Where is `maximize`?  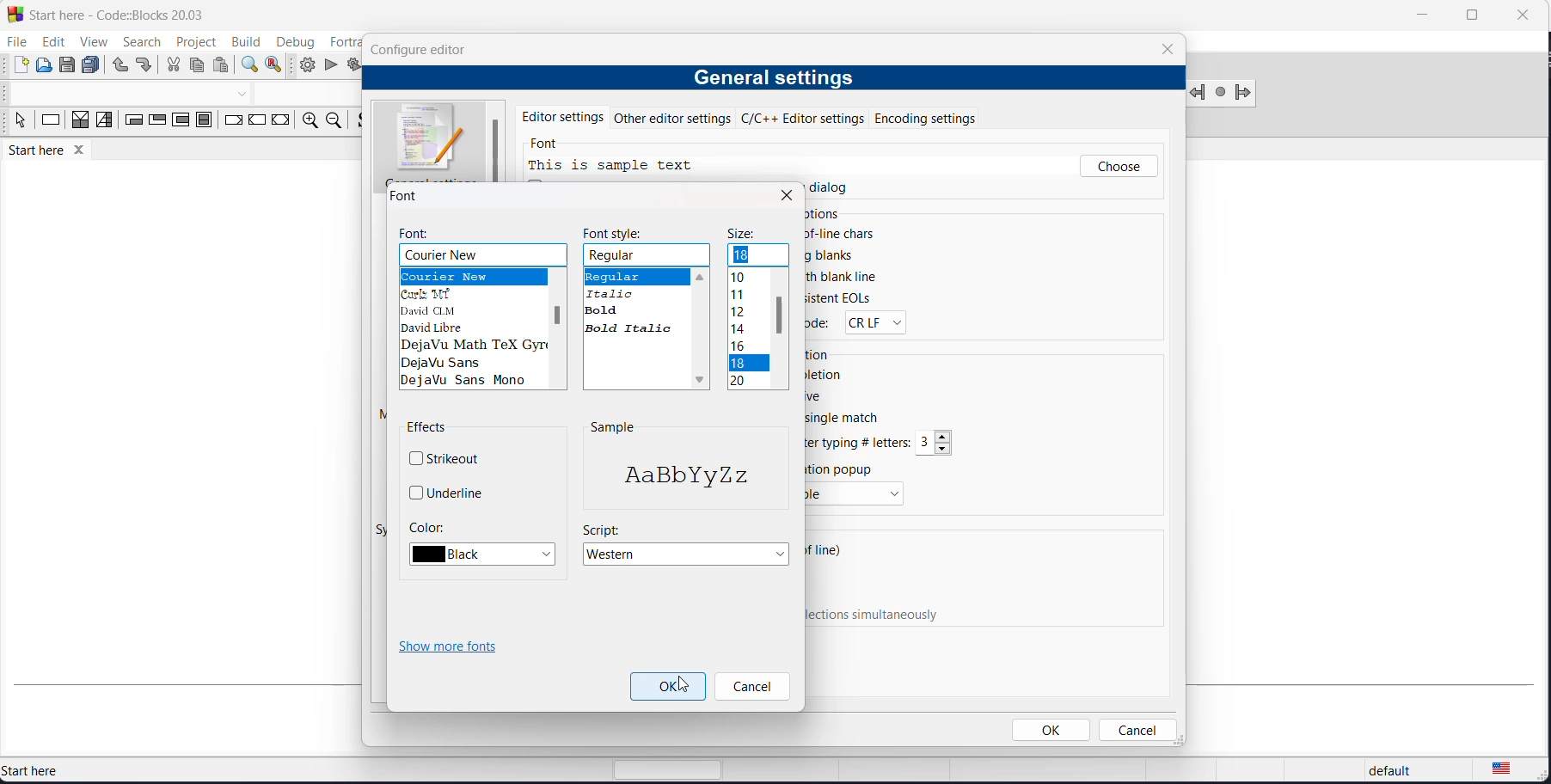 maximize is located at coordinates (1470, 15).